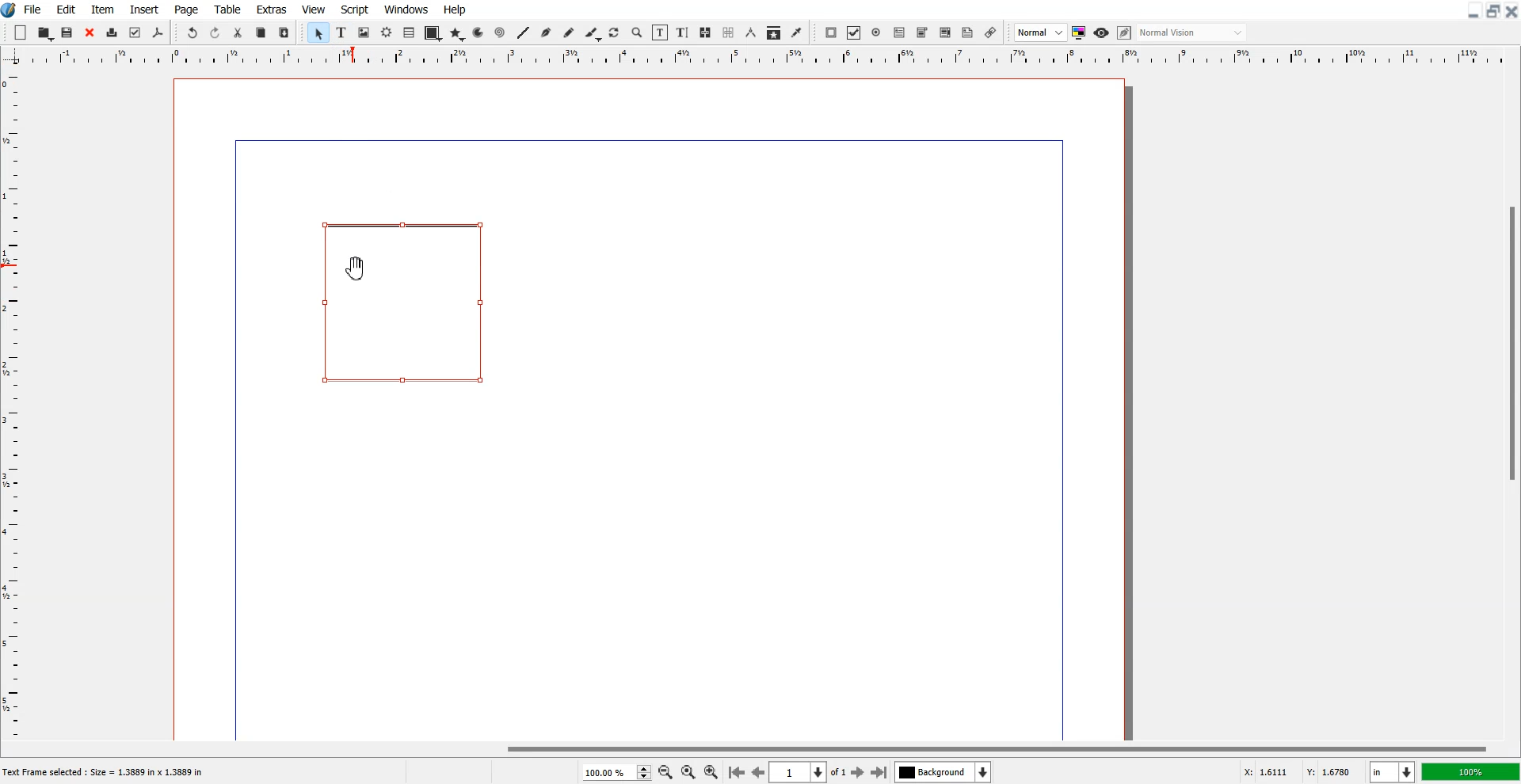 Image resolution: width=1521 pixels, height=784 pixels. What do you see at coordinates (21, 32) in the screenshot?
I see `New` at bounding box center [21, 32].